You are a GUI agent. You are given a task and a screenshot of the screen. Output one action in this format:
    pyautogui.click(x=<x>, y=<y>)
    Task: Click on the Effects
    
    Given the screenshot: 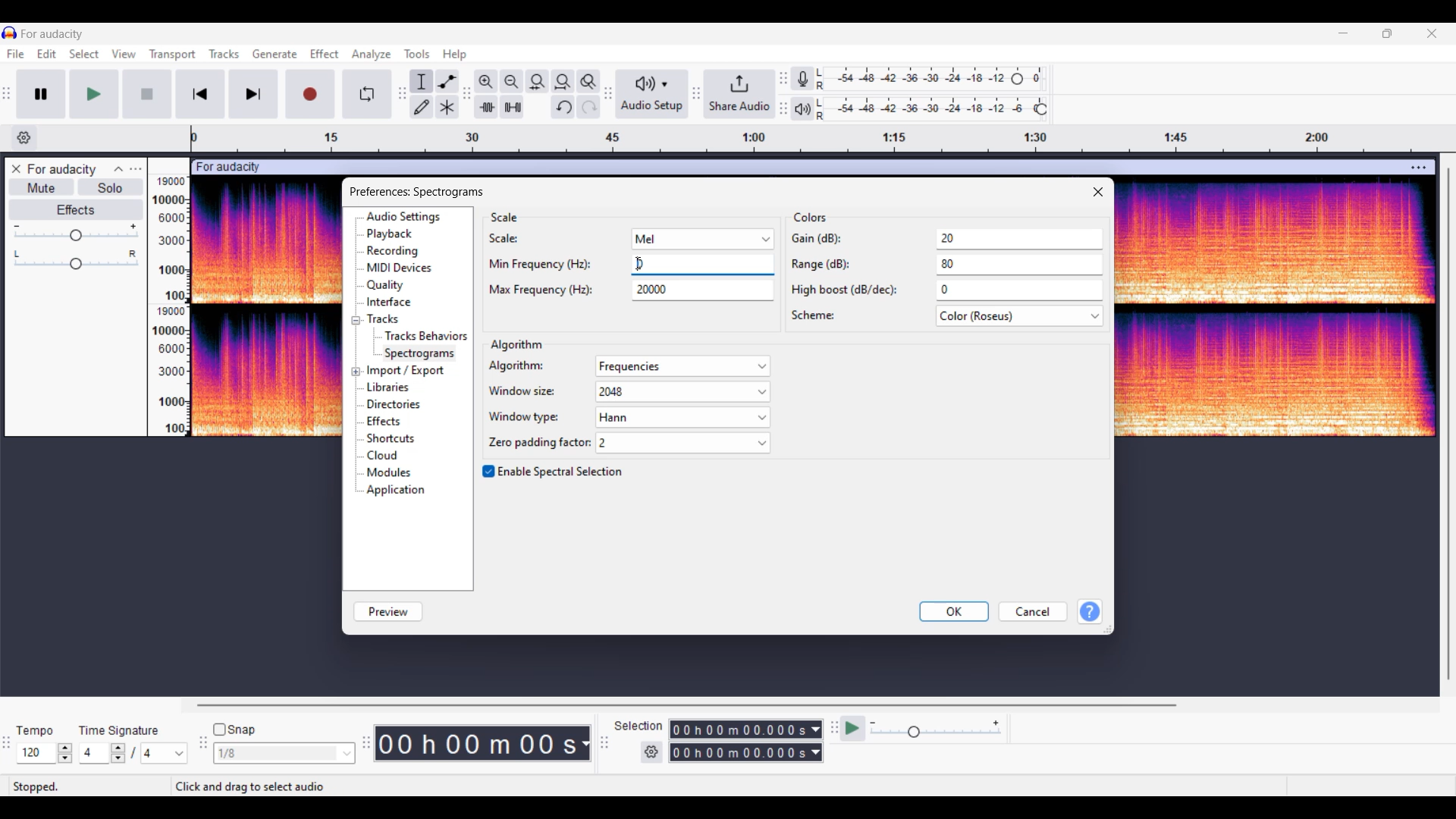 What is the action you would take?
    pyautogui.click(x=75, y=210)
    